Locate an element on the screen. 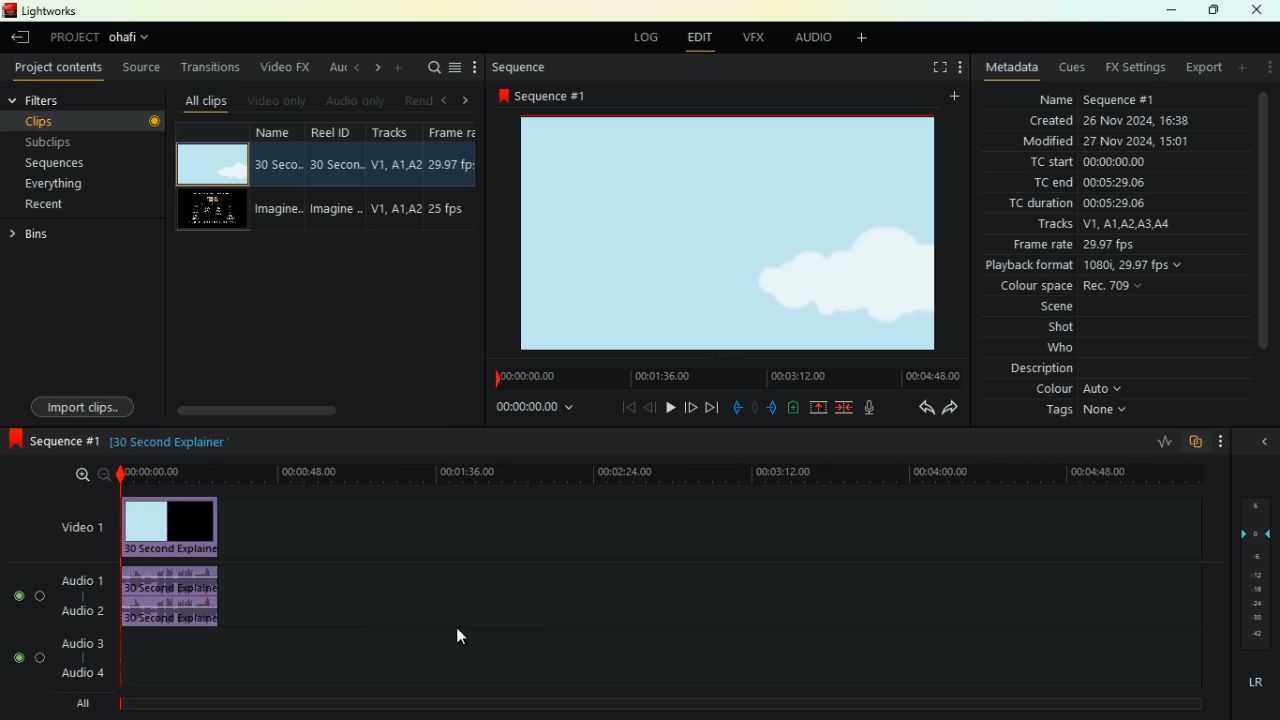  video is located at coordinates (73, 524).